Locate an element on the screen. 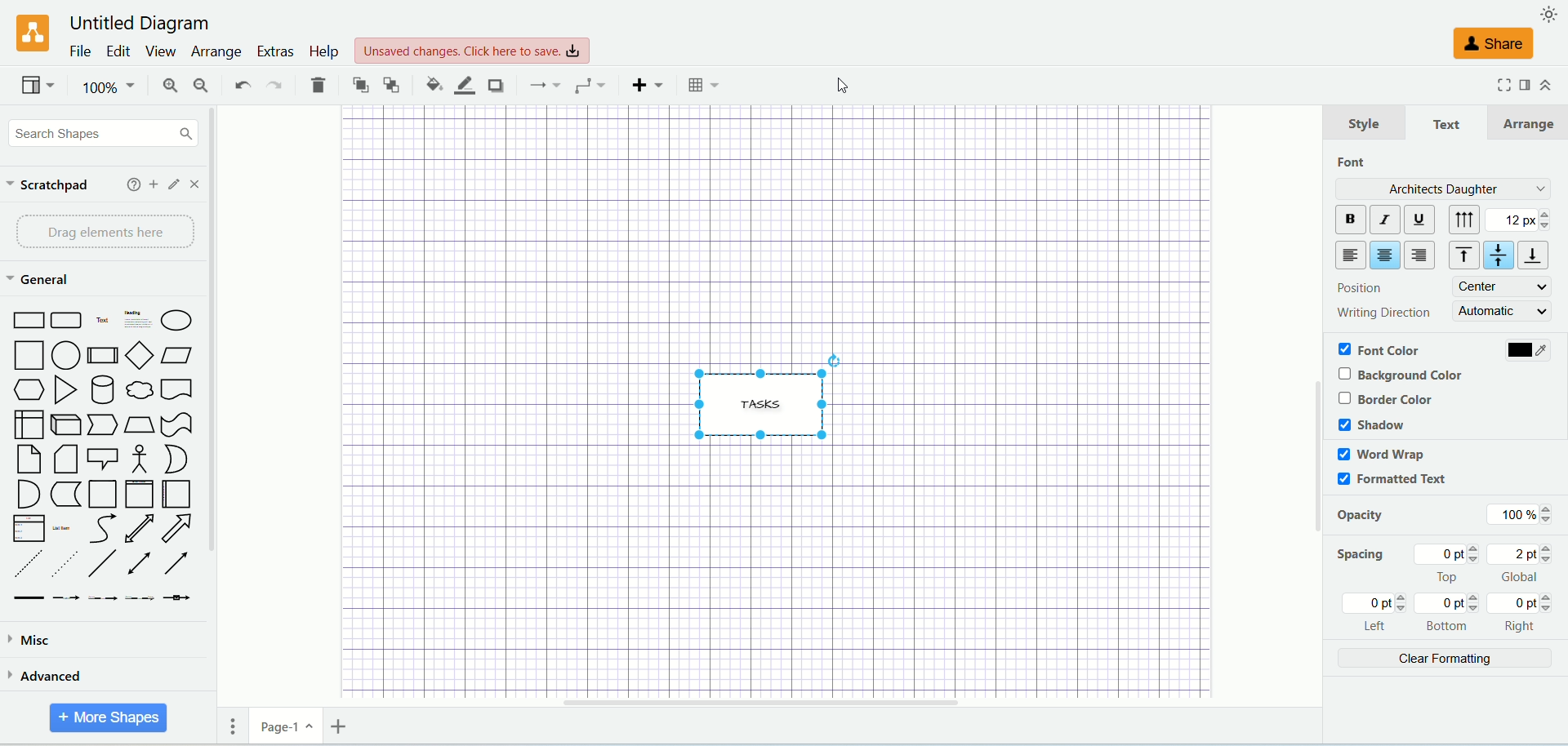  Dotted Line is located at coordinates (64, 564).